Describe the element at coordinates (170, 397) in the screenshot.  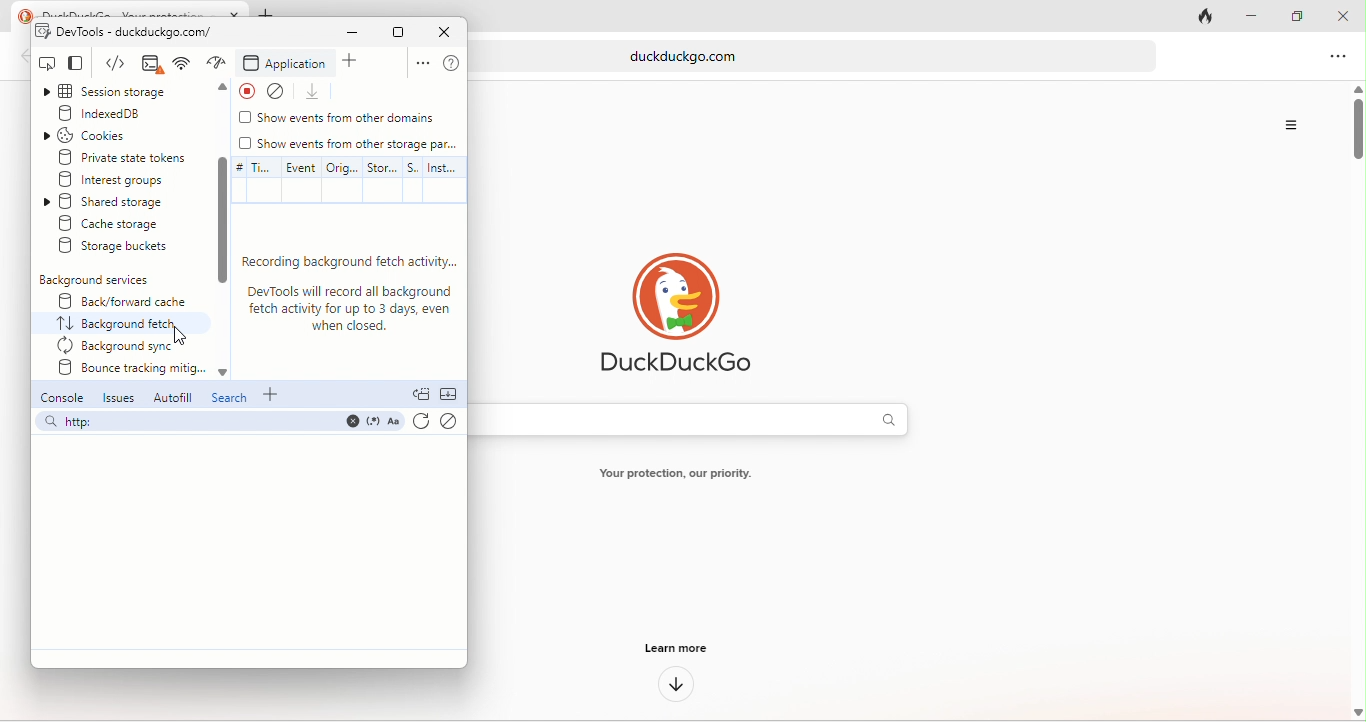
I see `autofill` at that location.